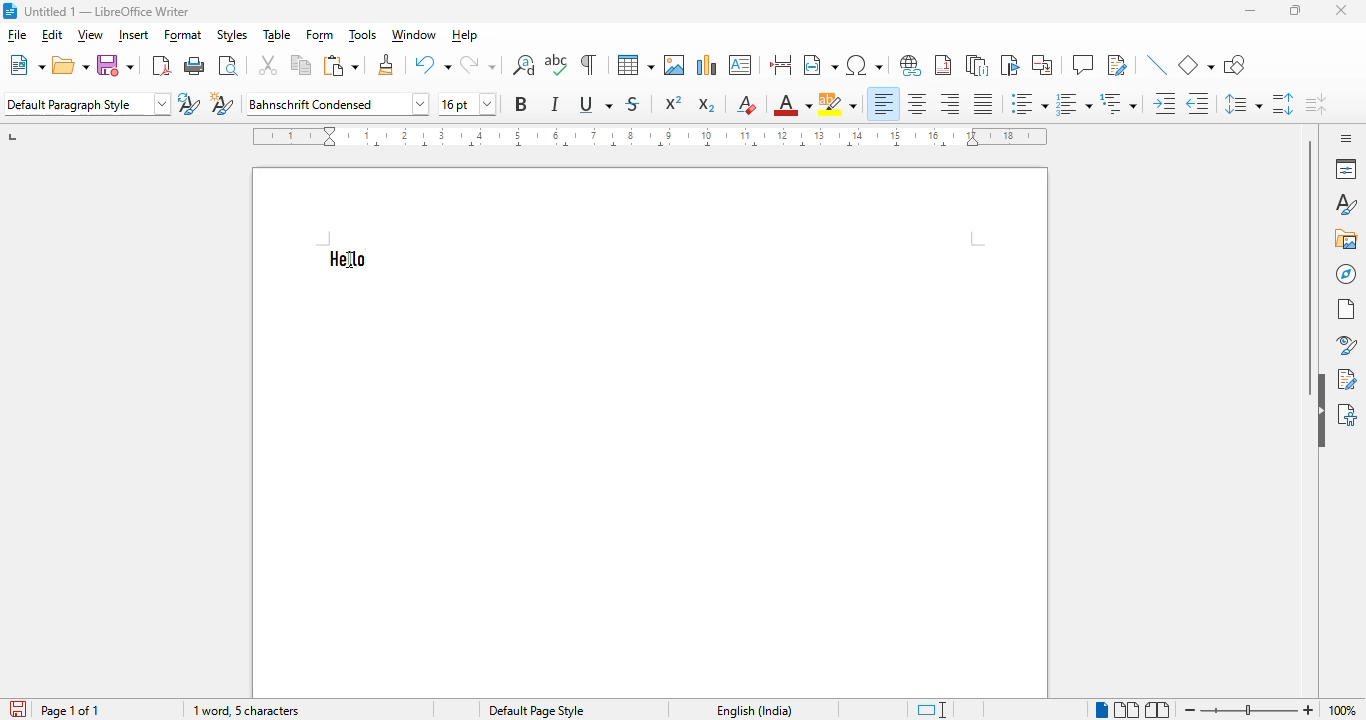 The width and height of the screenshot is (1366, 720). Describe the element at coordinates (109, 11) in the screenshot. I see `Untitled 1 — LibreOffice Writer` at that location.